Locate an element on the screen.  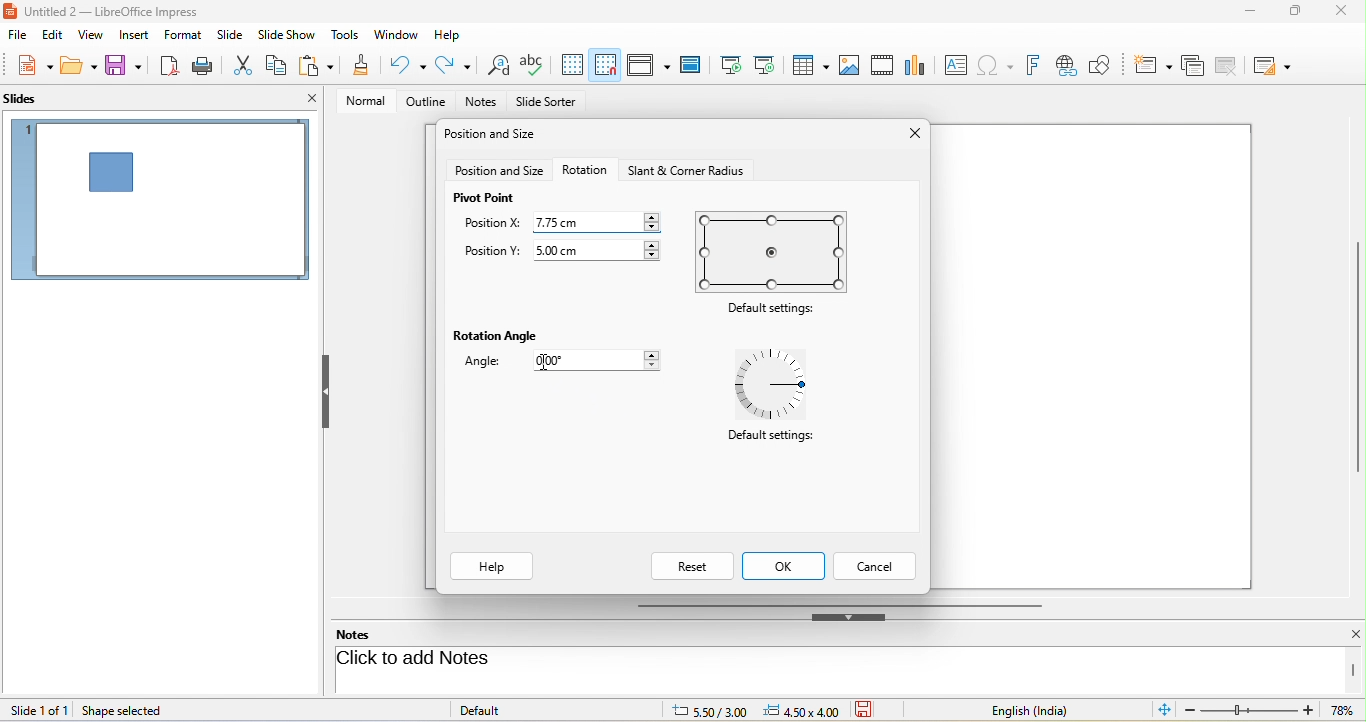
shaped selected is located at coordinates (130, 710).